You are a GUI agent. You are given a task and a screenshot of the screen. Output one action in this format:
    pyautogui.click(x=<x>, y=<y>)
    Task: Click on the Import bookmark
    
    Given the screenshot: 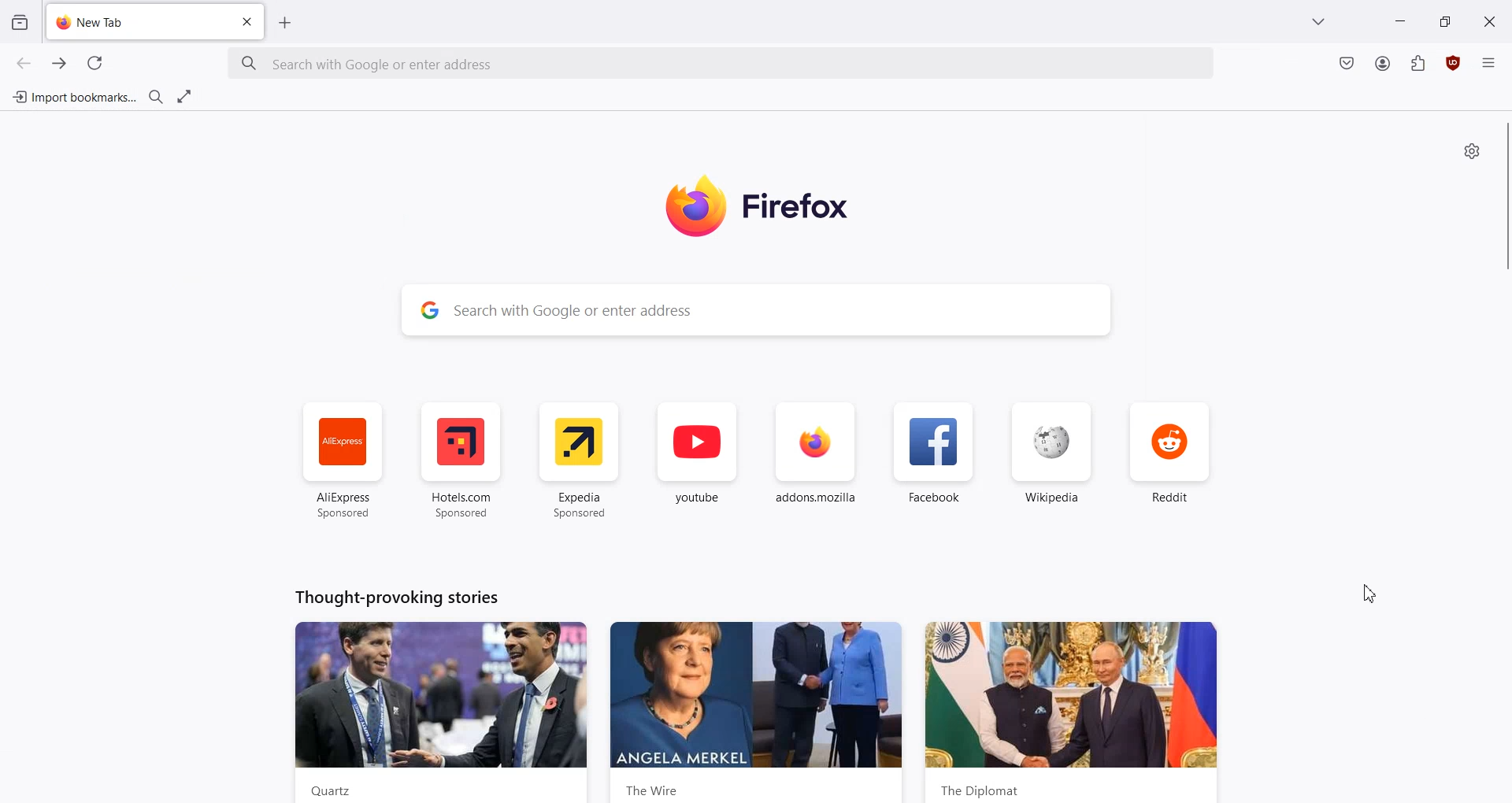 What is the action you would take?
    pyautogui.click(x=72, y=95)
    